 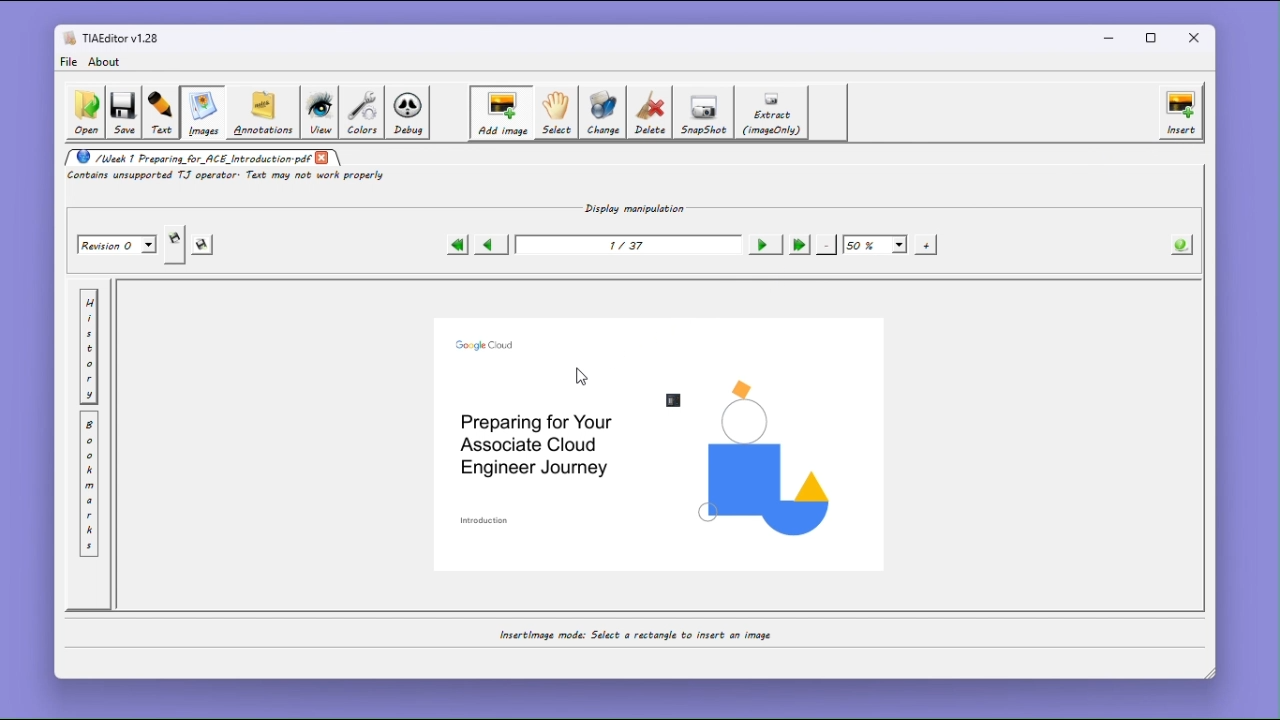 What do you see at coordinates (927, 244) in the screenshot?
I see `+` at bounding box center [927, 244].